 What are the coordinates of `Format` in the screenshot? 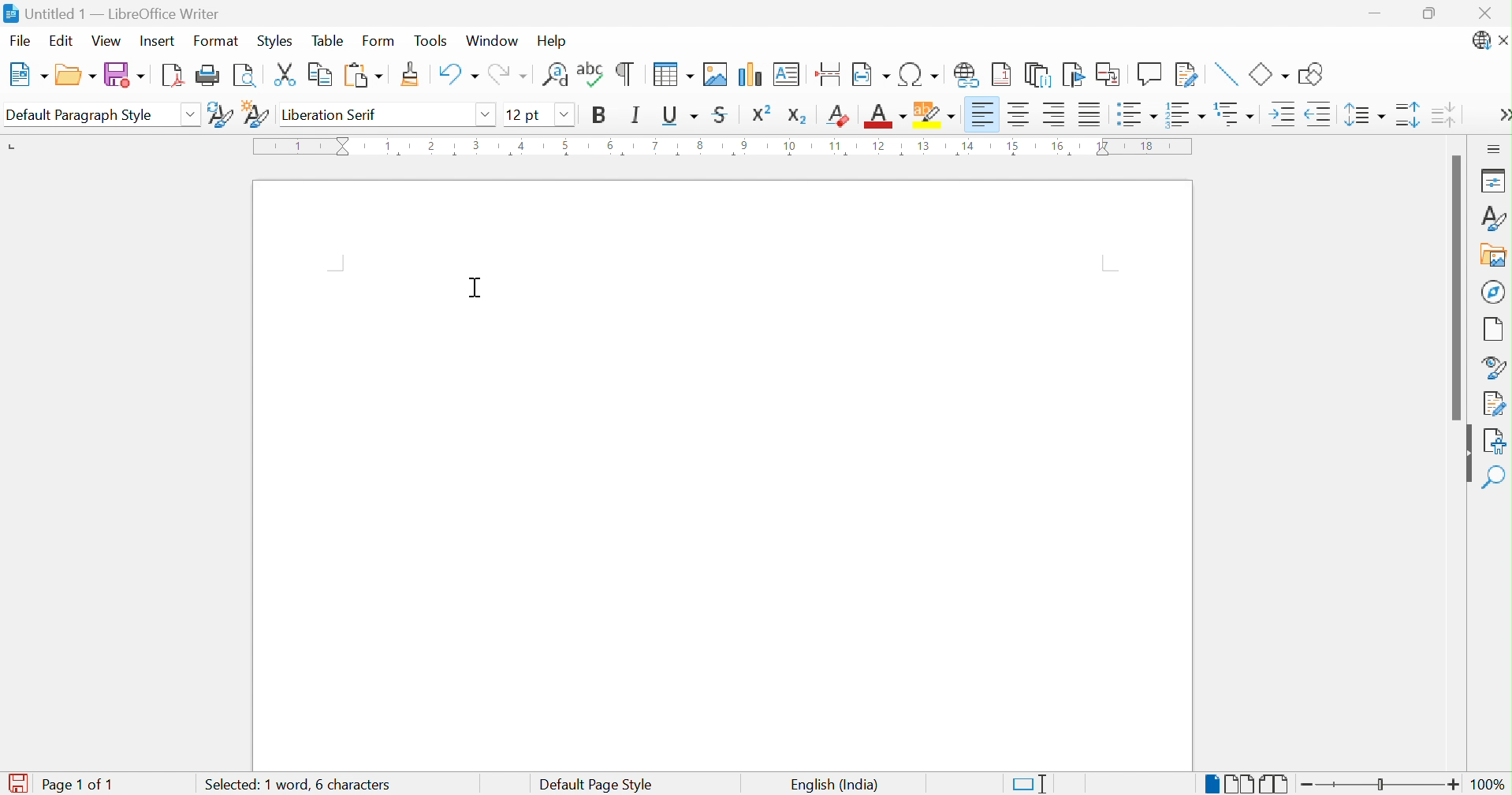 It's located at (214, 42).